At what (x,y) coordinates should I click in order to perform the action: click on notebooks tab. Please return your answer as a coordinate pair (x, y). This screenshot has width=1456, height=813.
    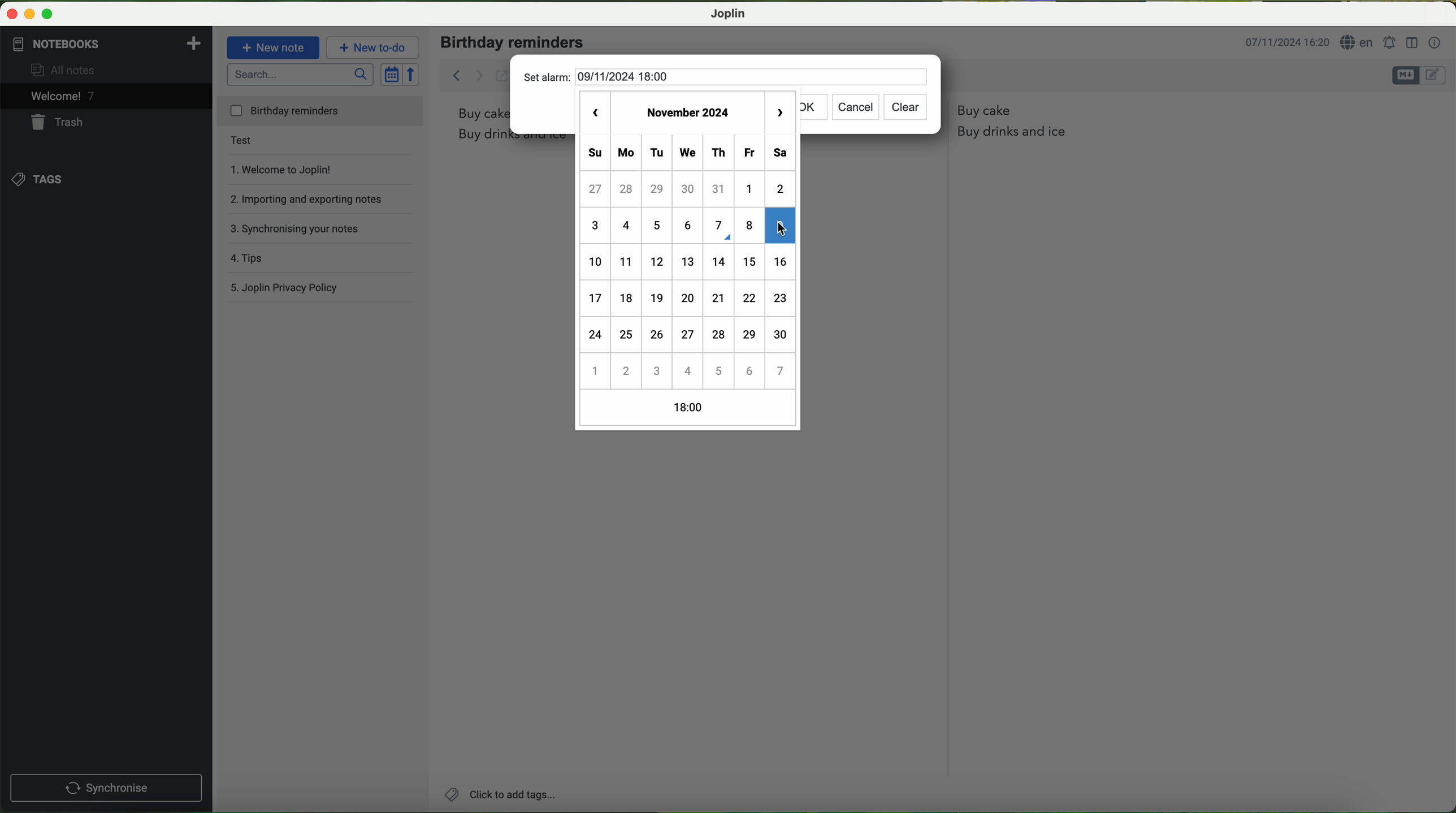
    Looking at the image, I should click on (106, 44).